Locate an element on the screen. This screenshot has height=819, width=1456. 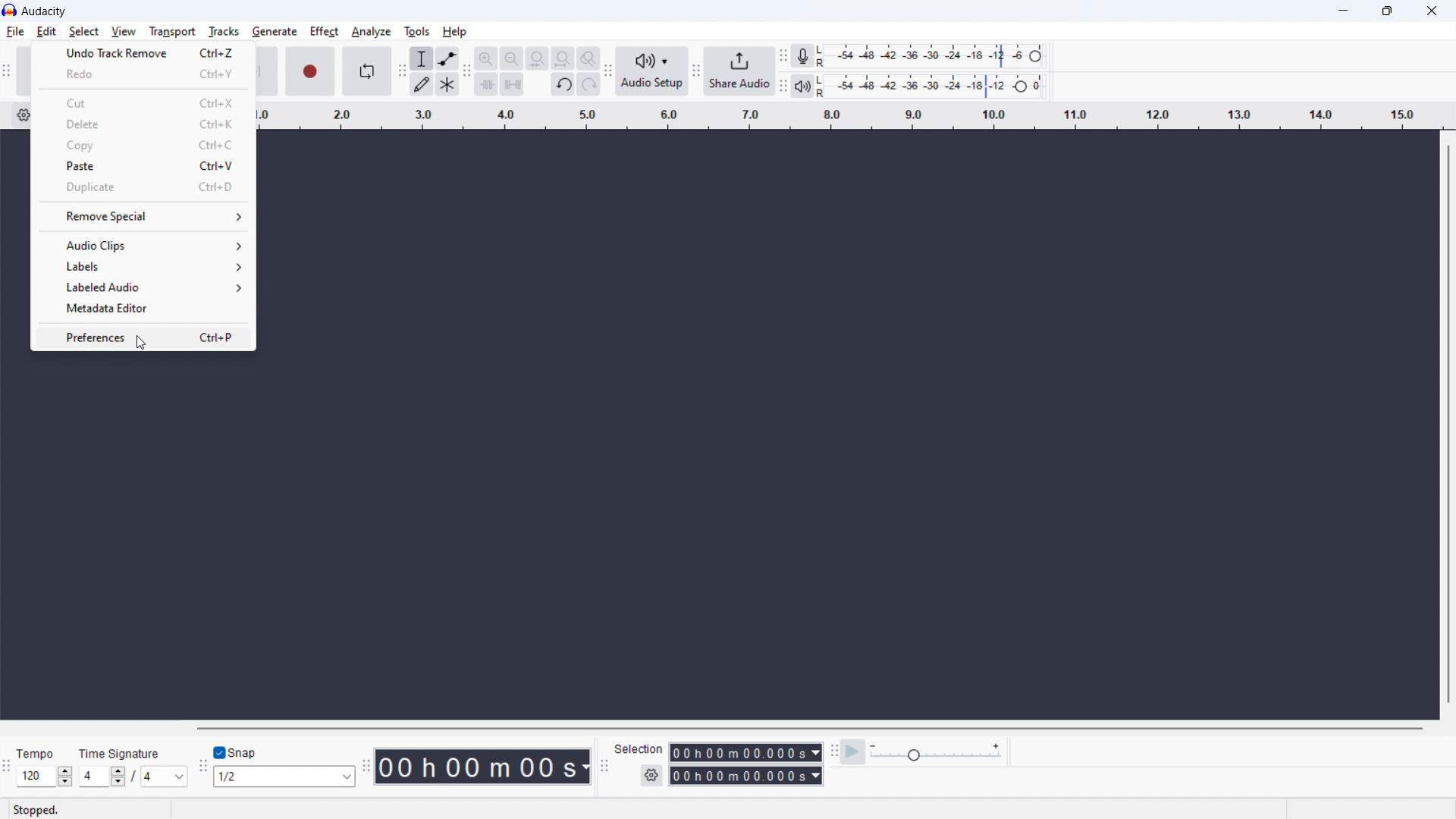
analyze is located at coordinates (372, 32).